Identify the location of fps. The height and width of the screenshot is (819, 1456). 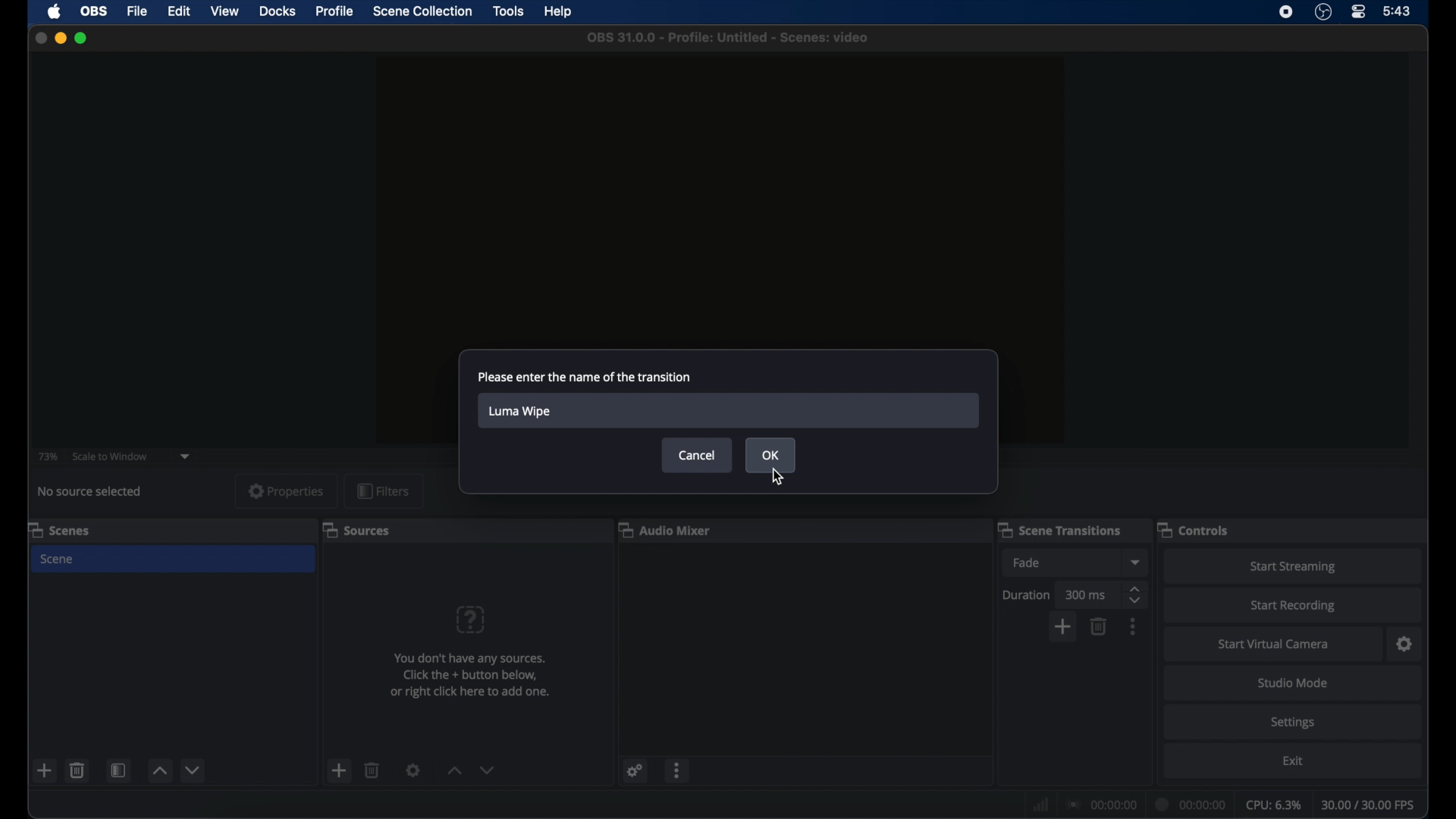
(1368, 805).